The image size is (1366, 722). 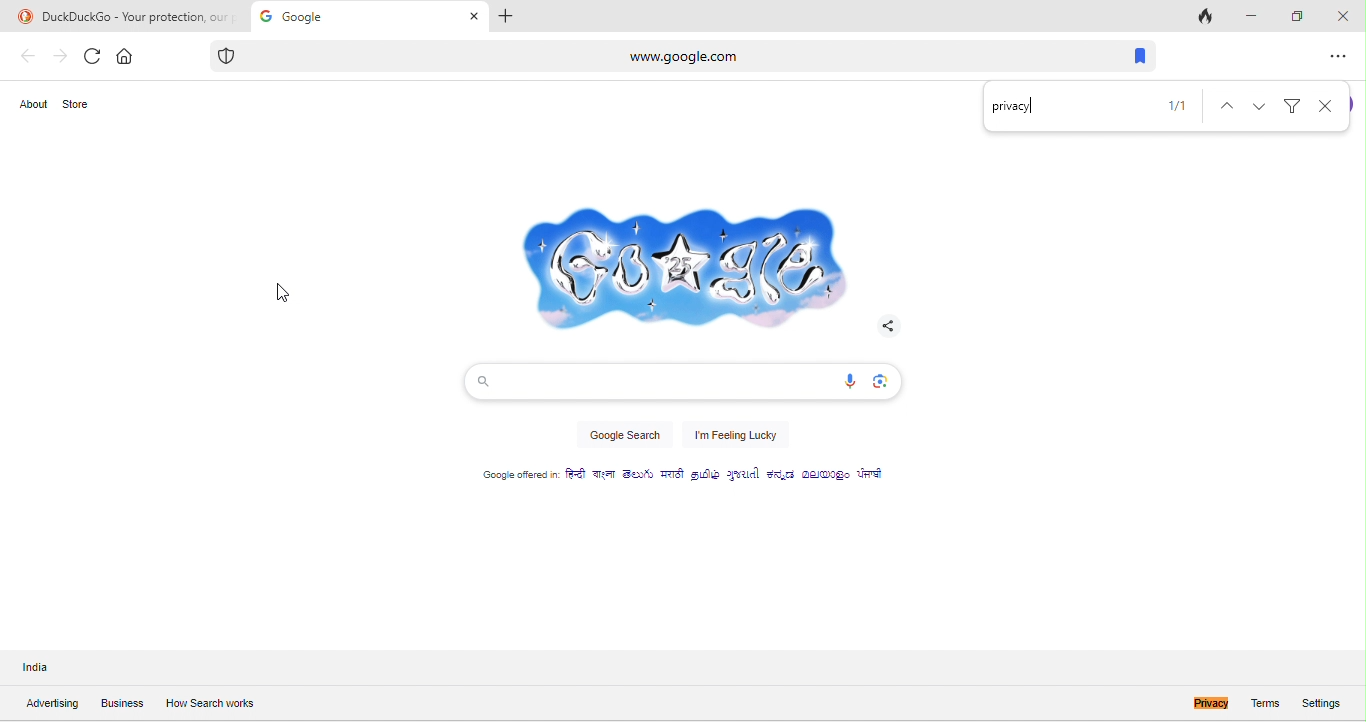 I want to click on Share, so click(x=886, y=325).